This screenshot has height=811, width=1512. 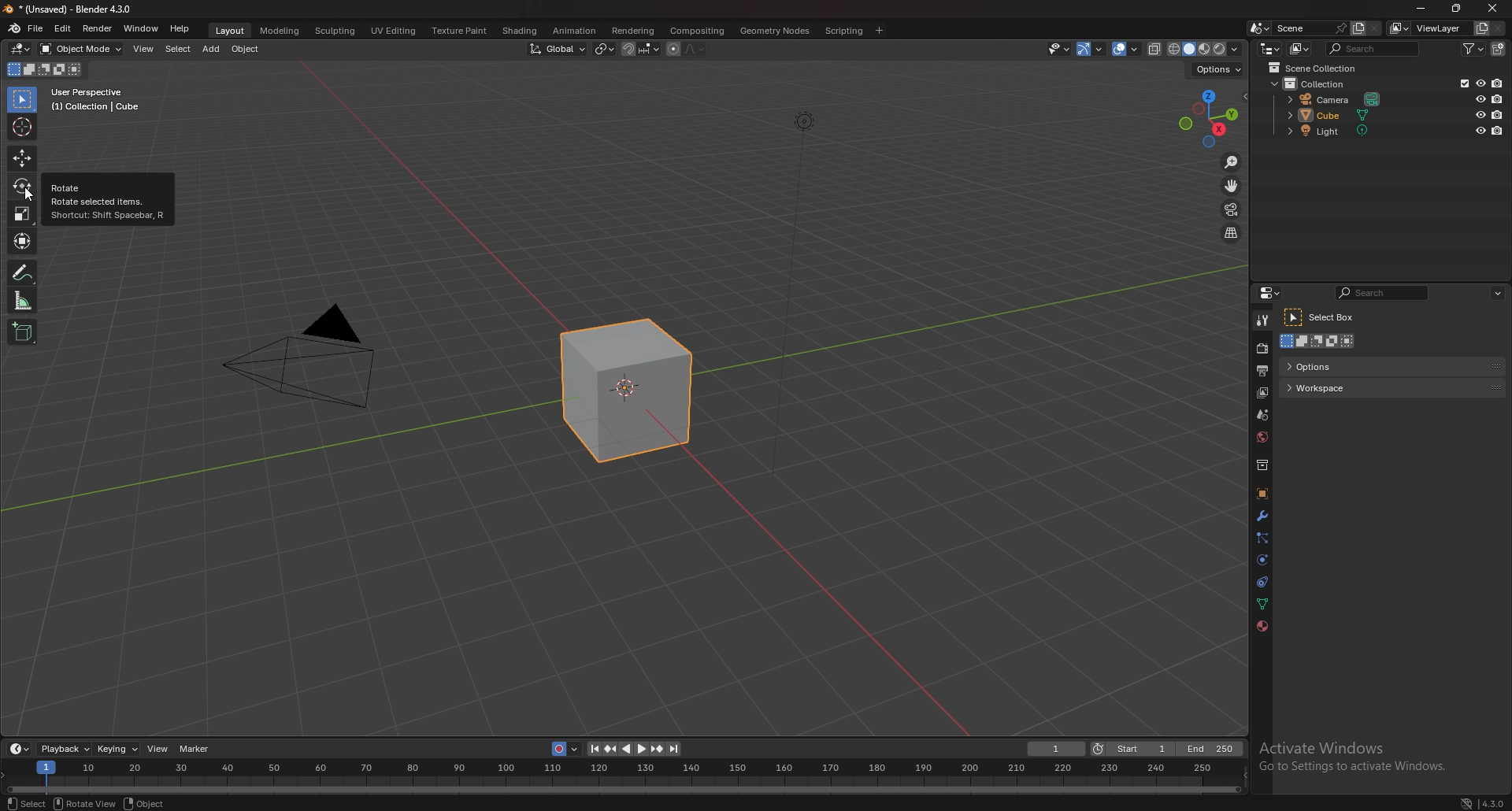 What do you see at coordinates (1258, 28) in the screenshot?
I see `browse scene` at bounding box center [1258, 28].